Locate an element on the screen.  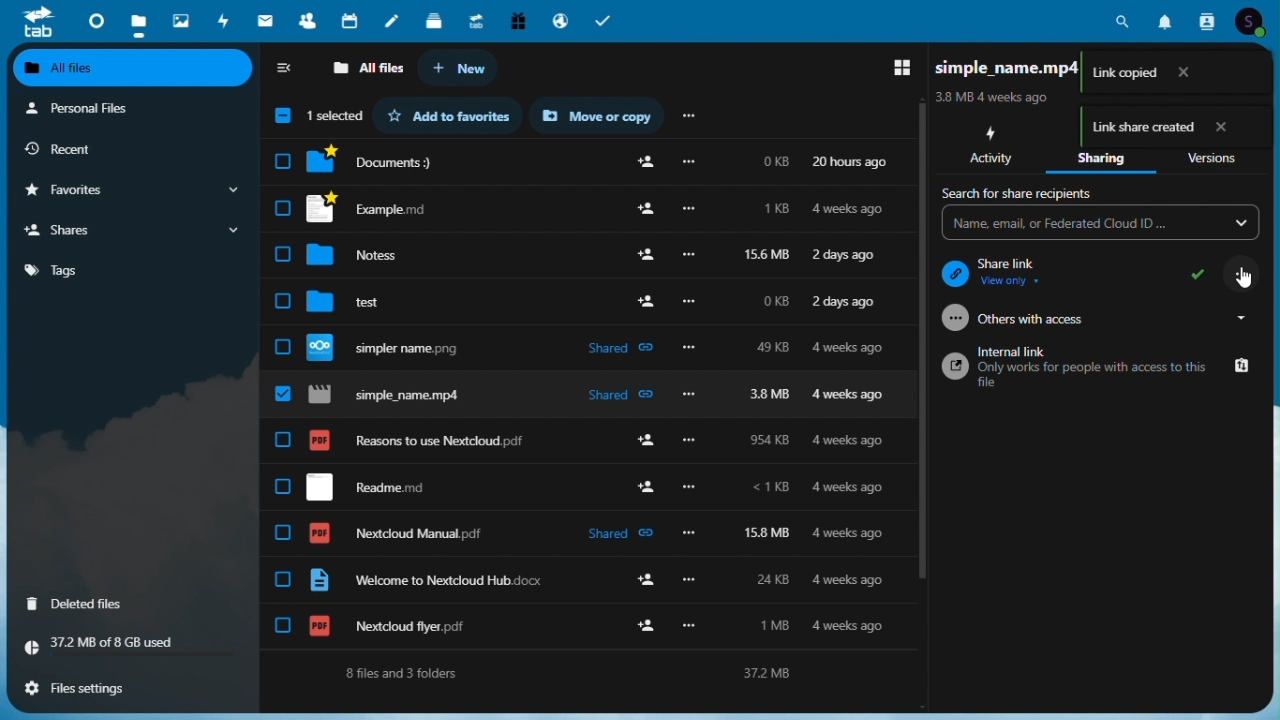
tab is located at coordinates (38, 21).